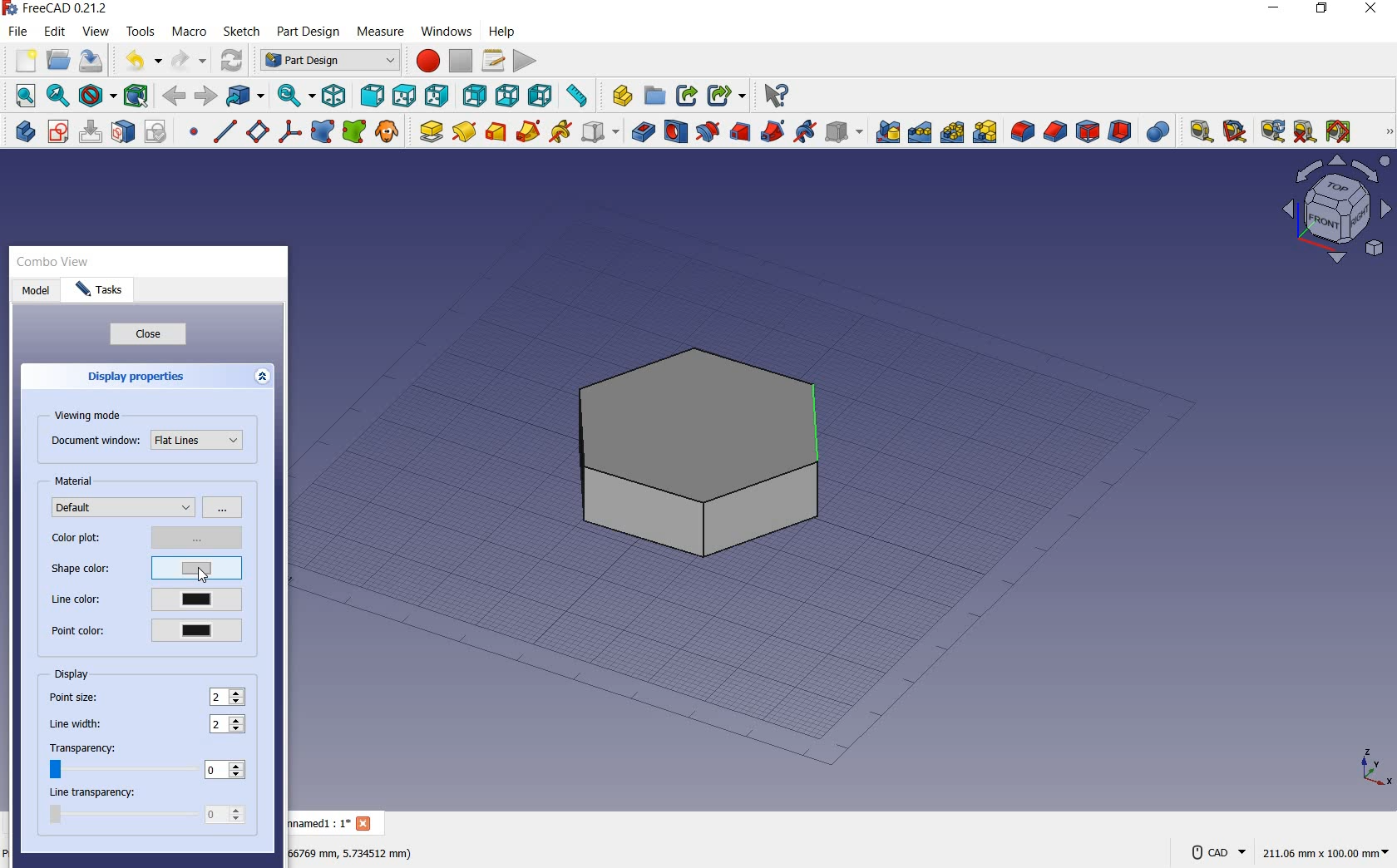  I want to click on tools, so click(142, 33).